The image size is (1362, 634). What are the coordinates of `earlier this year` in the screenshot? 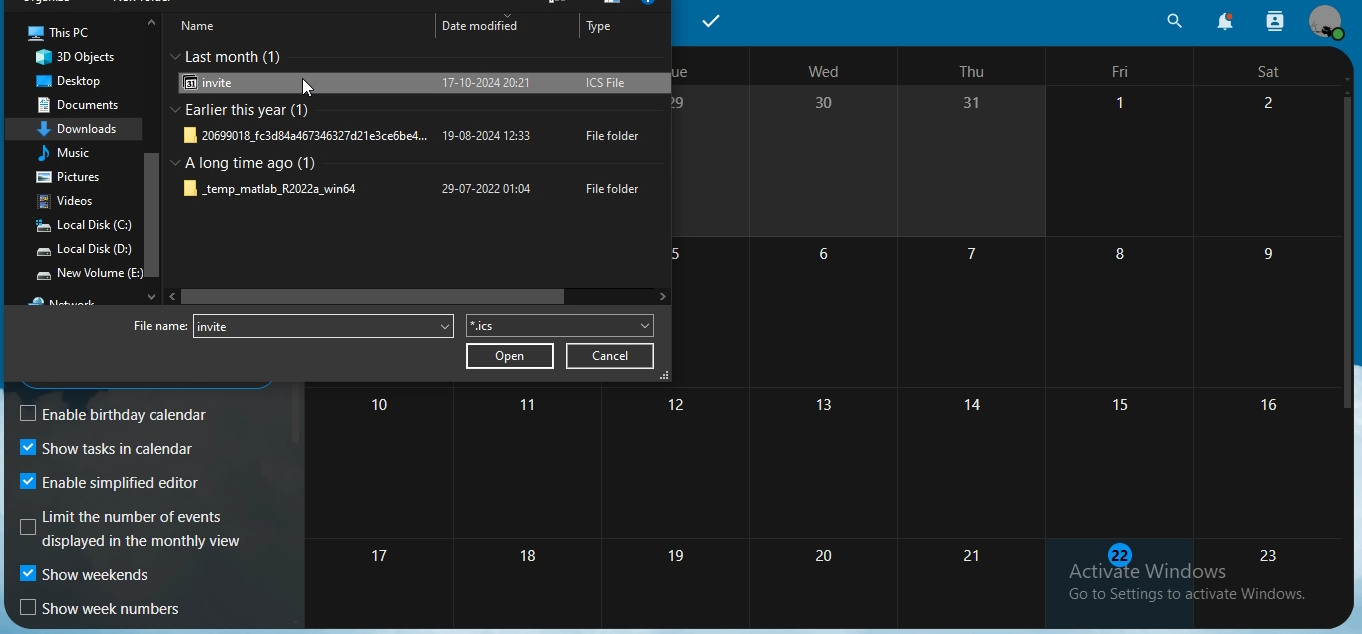 It's located at (250, 111).